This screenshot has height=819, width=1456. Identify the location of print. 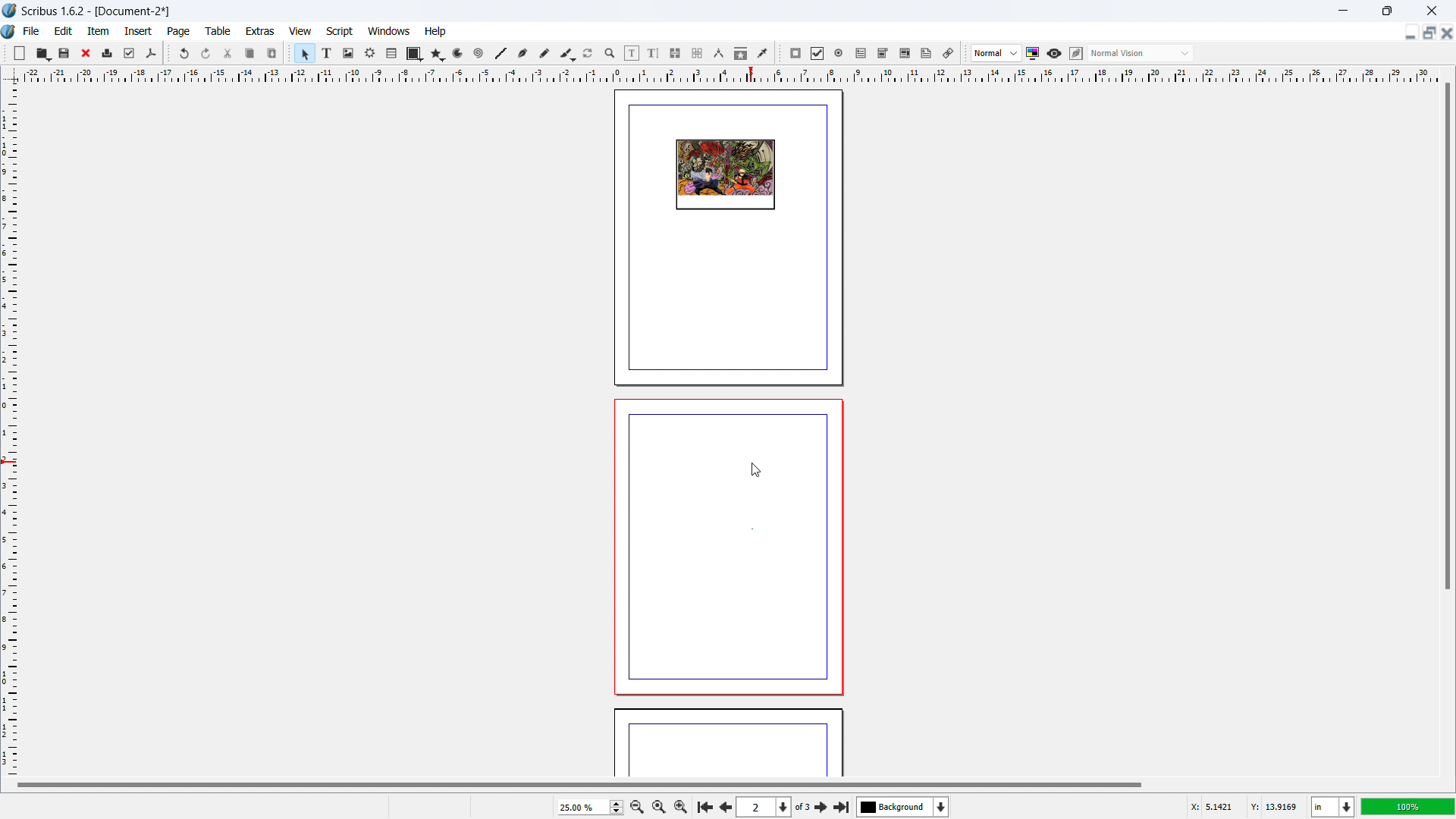
(108, 52).